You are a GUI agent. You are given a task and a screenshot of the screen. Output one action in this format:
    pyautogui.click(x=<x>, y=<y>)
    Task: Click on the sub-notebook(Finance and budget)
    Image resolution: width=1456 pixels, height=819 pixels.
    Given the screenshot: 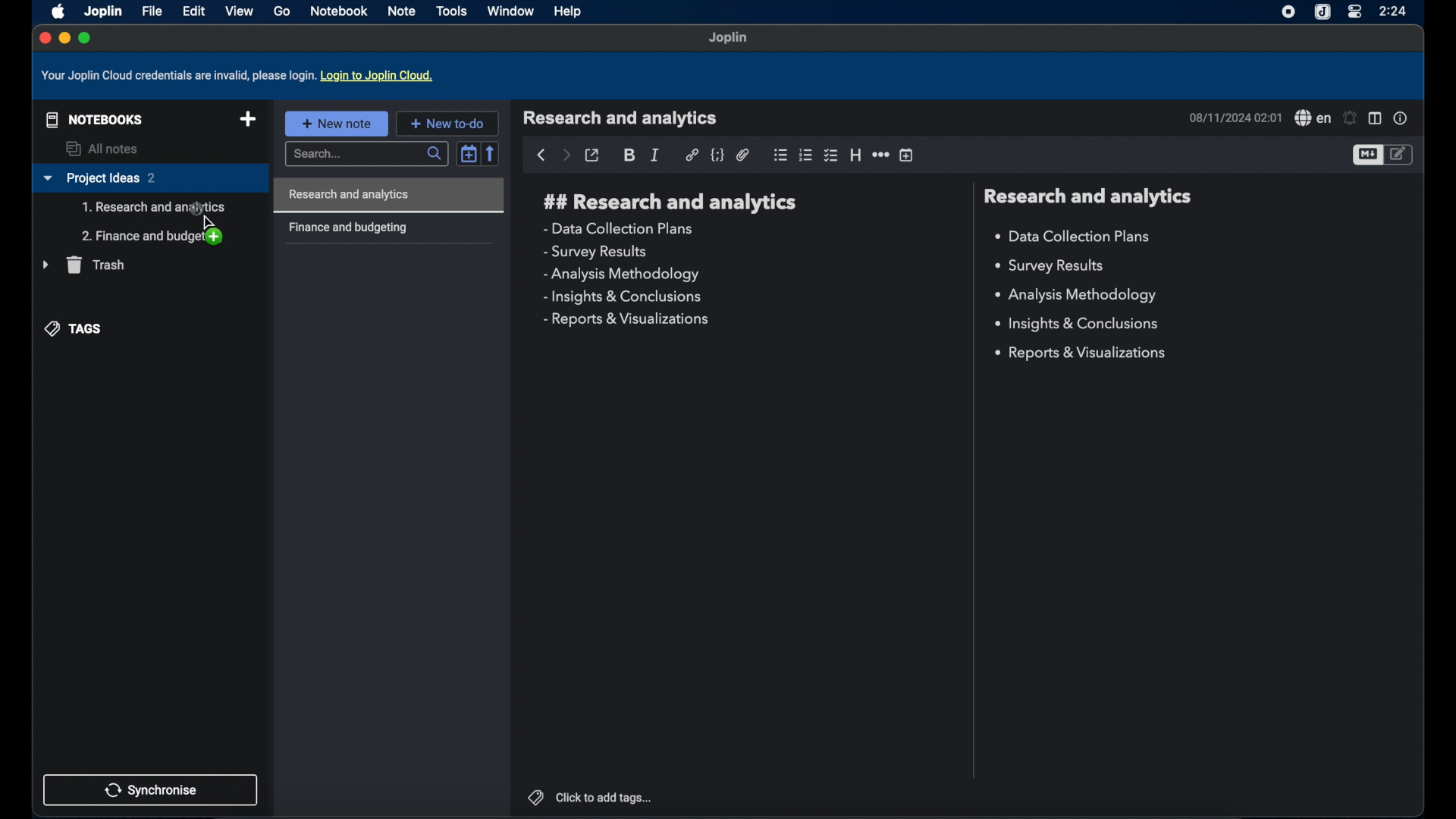 What is the action you would take?
    pyautogui.click(x=151, y=236)
    